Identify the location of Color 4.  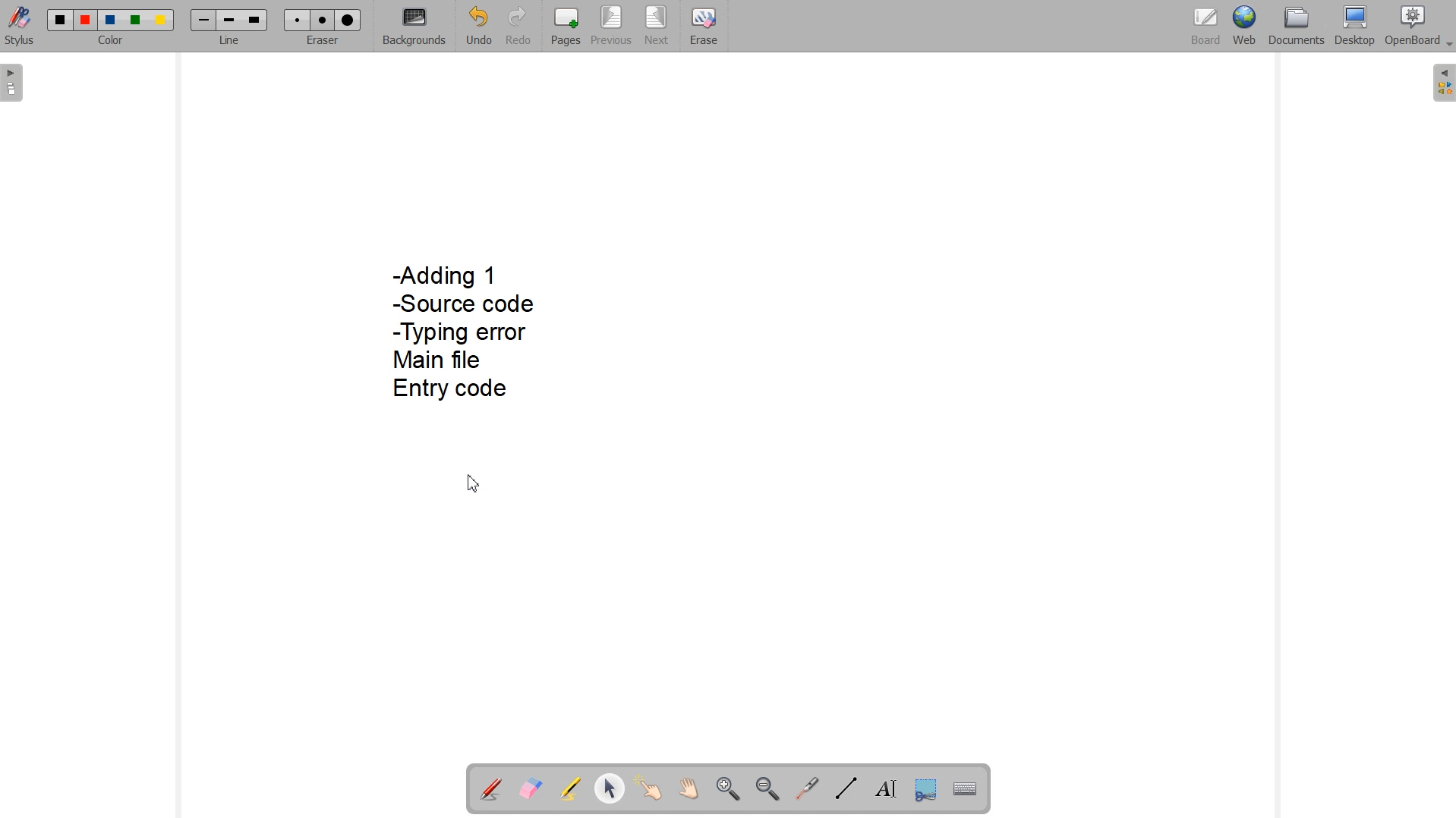
(137, 20).